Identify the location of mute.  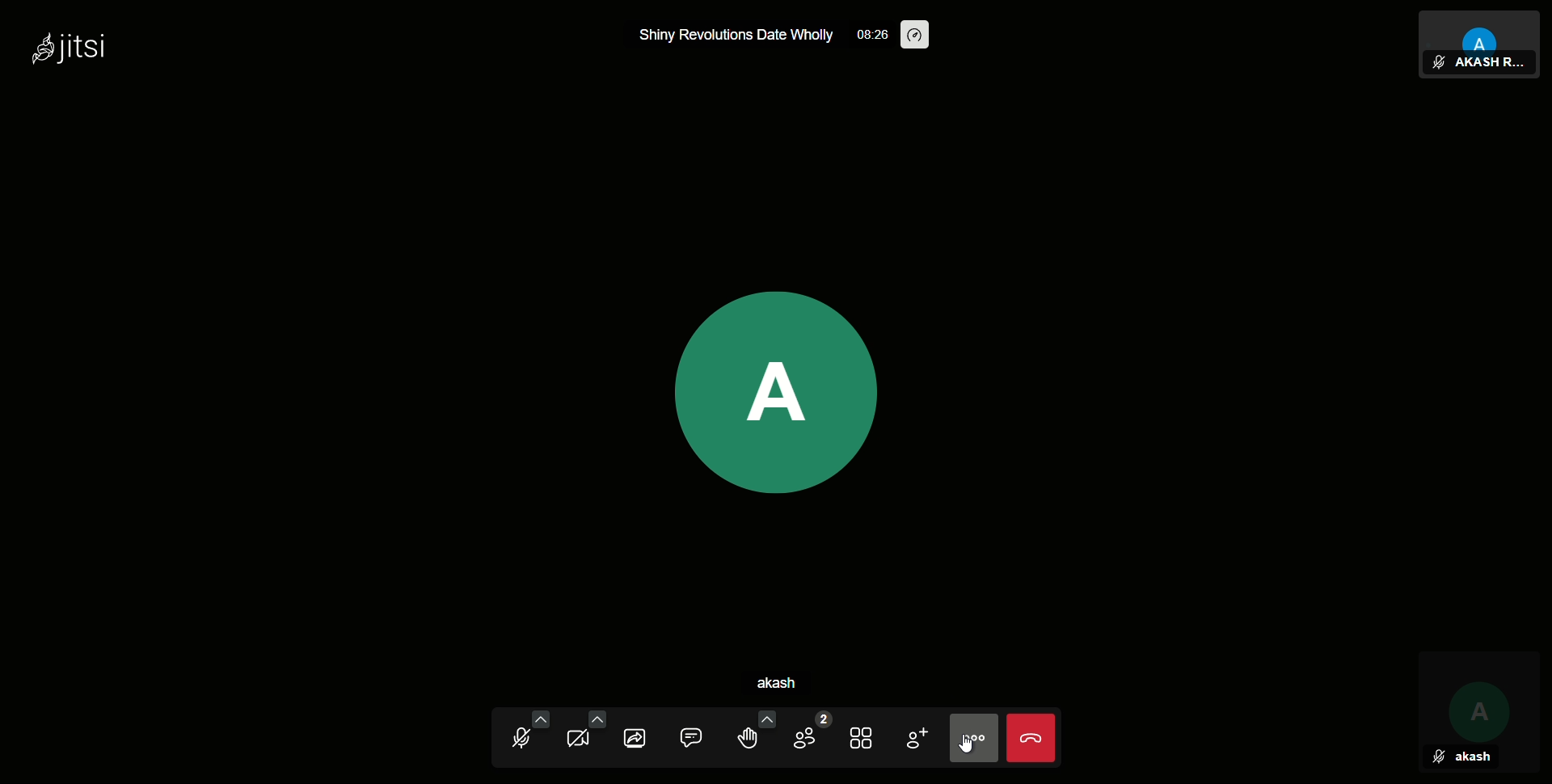
(1438, 759).